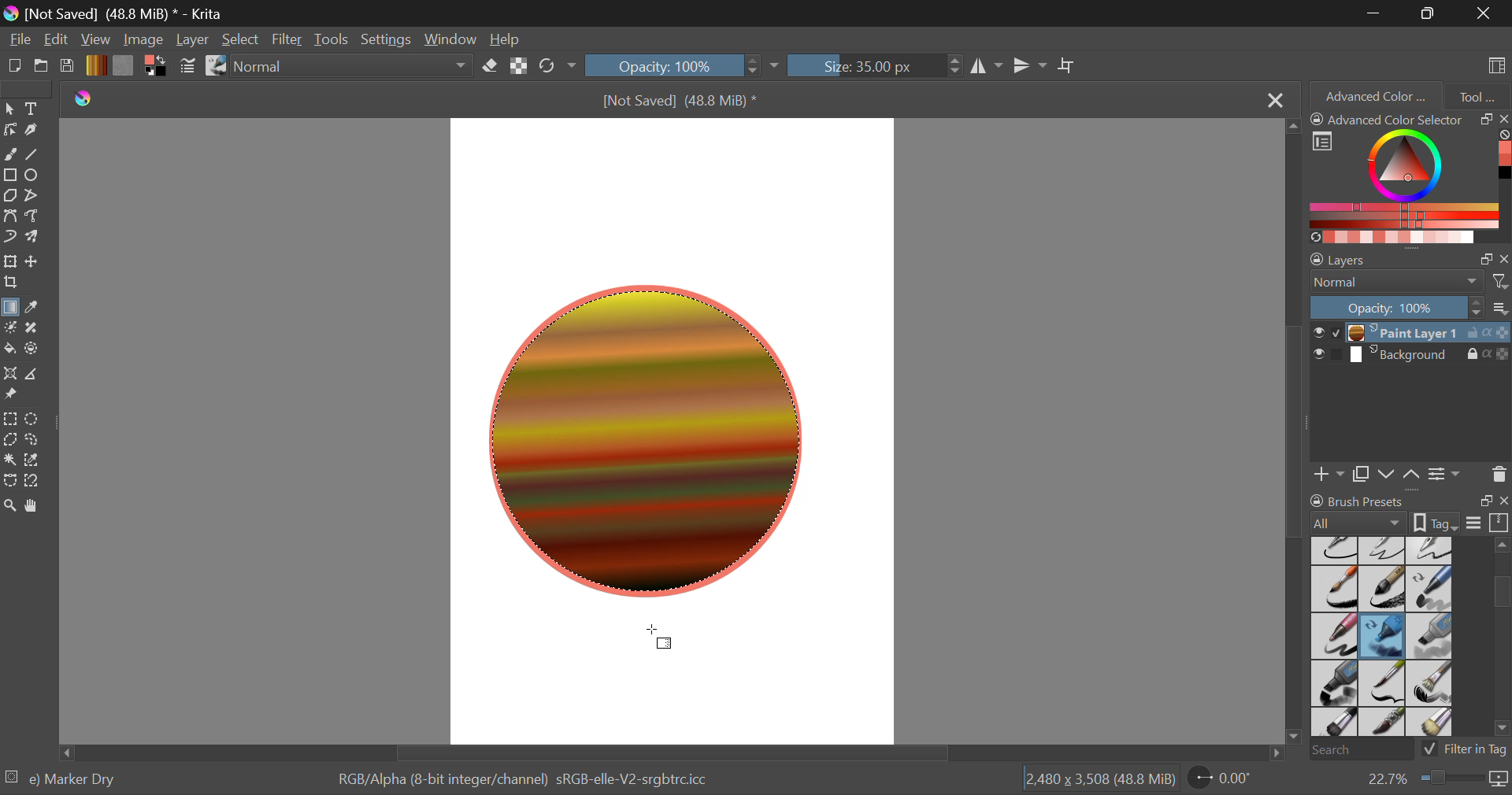 Image resolution: width=1512 pixels, height=795 pixels. Describe the element at coordinates (1334, 684) in the screenshot. I see `Marker Plain` at that location.